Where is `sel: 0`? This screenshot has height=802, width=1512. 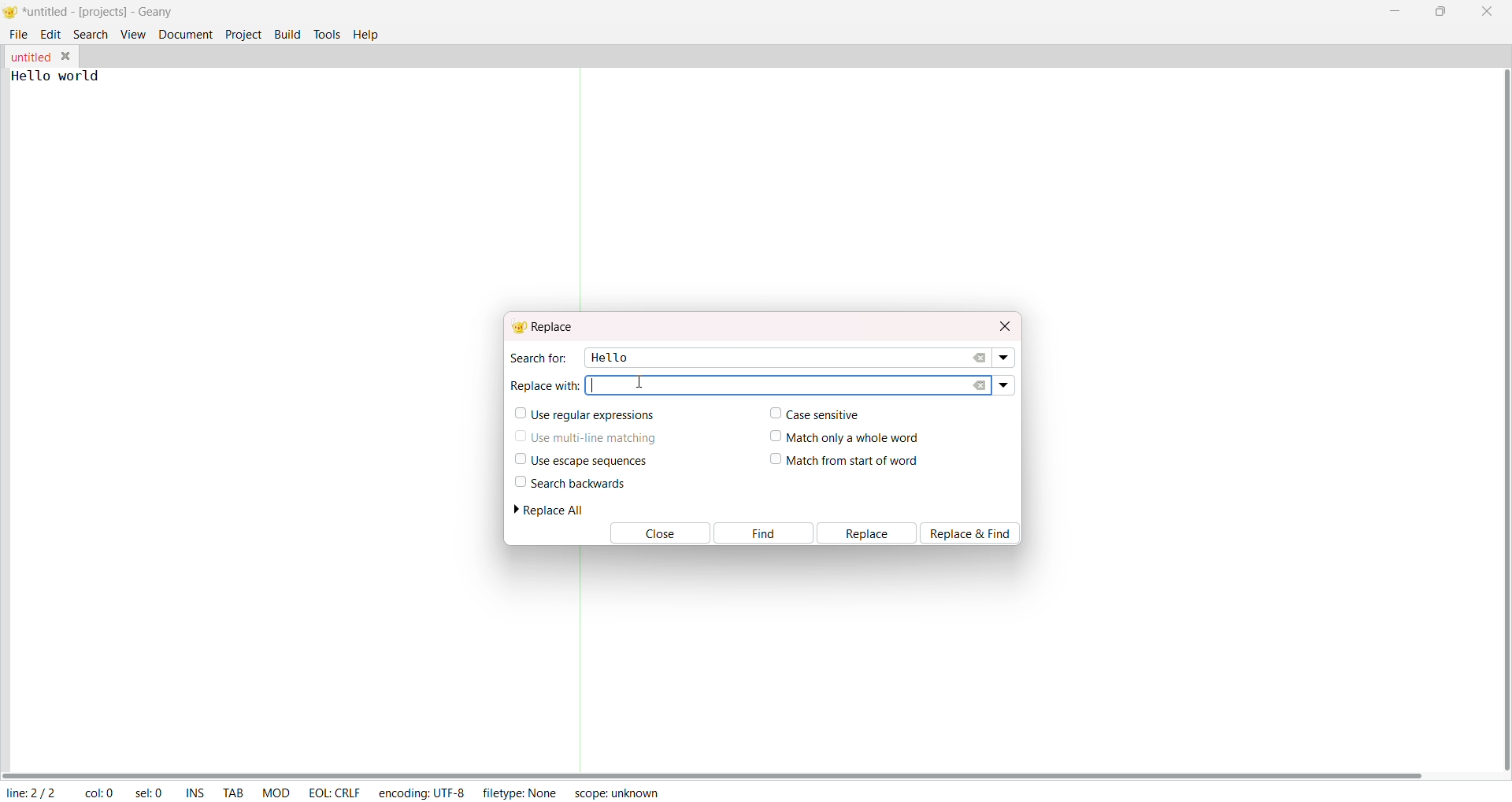 sel: 0 is located at coordinates (150, 793).